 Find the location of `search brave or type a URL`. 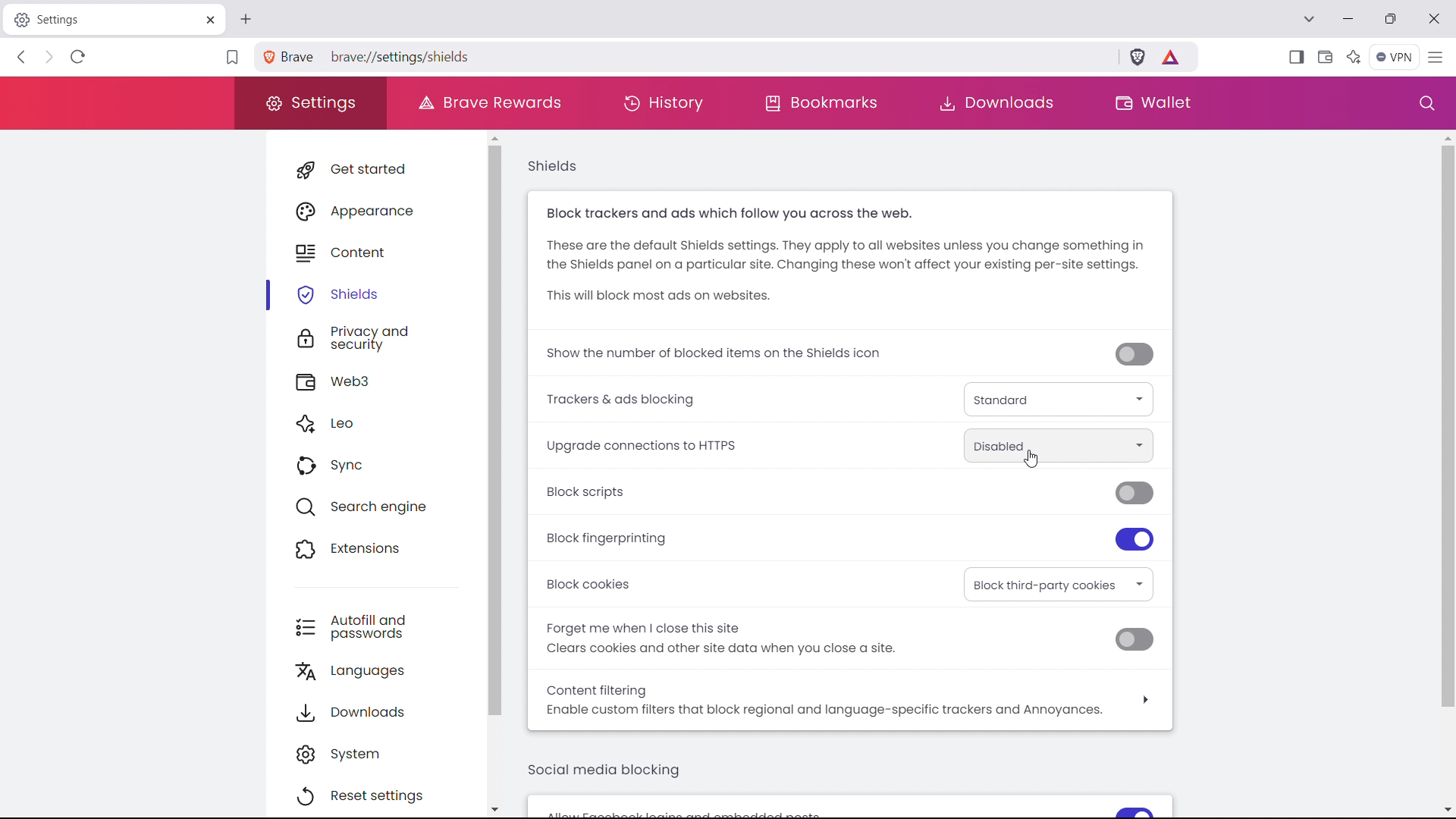

search brave or type a URL is located at coordinates (698, 55).